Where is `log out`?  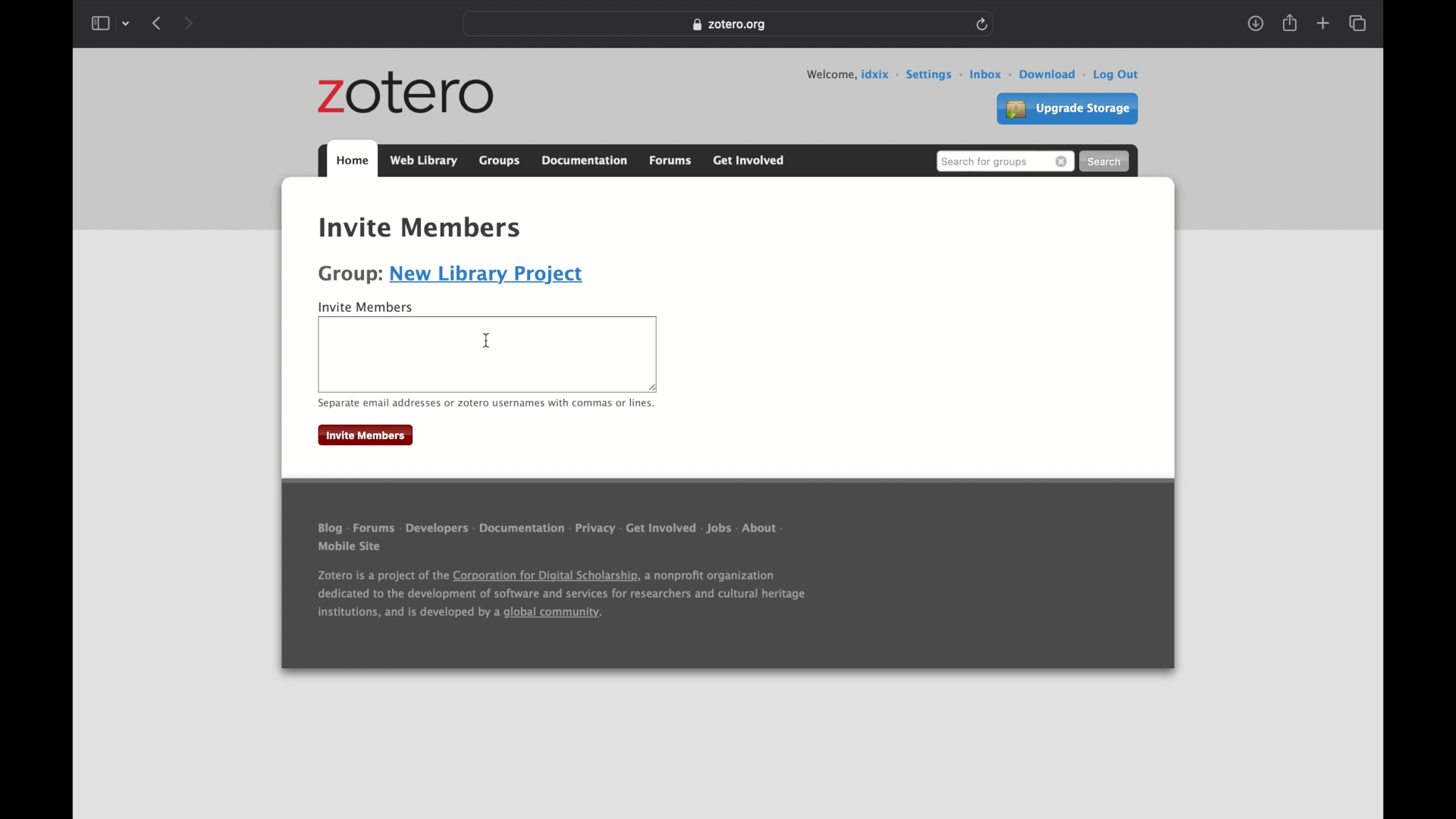
log out is located at coordinates (1116, 73).